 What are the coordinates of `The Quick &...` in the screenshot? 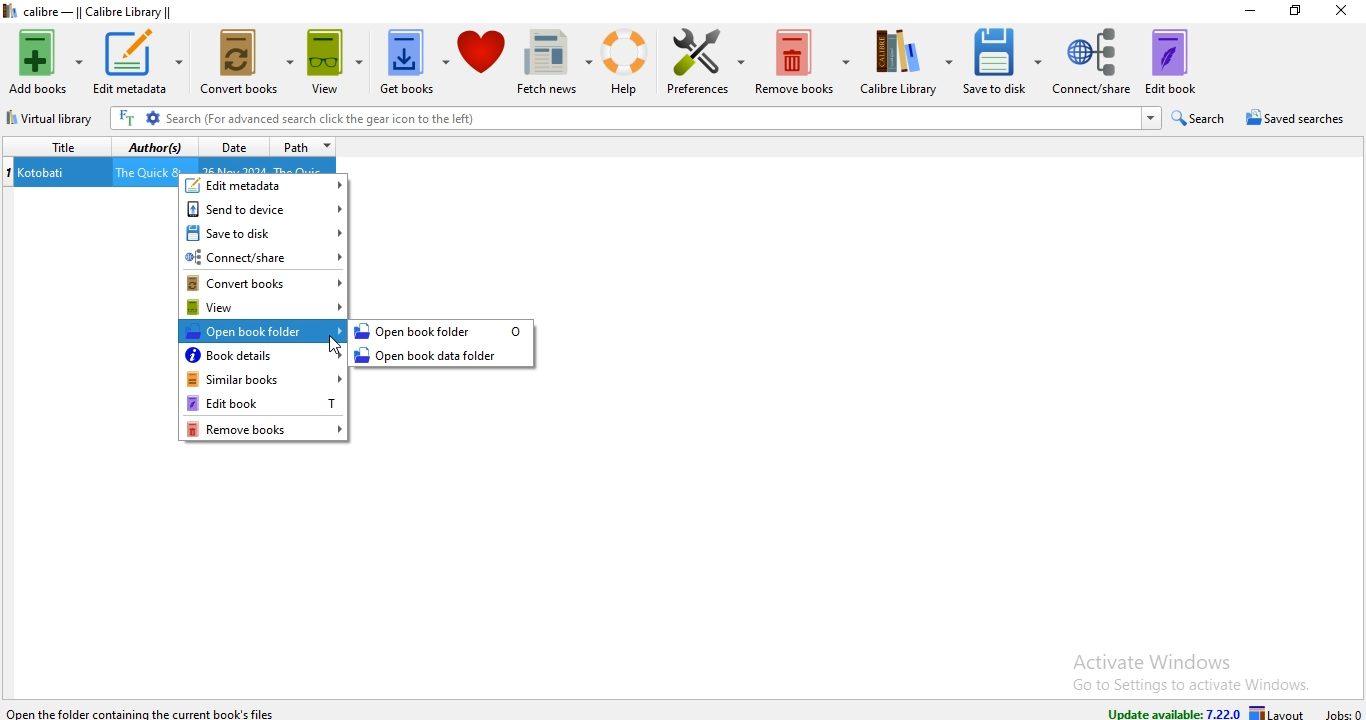 It's located at (144, 172).